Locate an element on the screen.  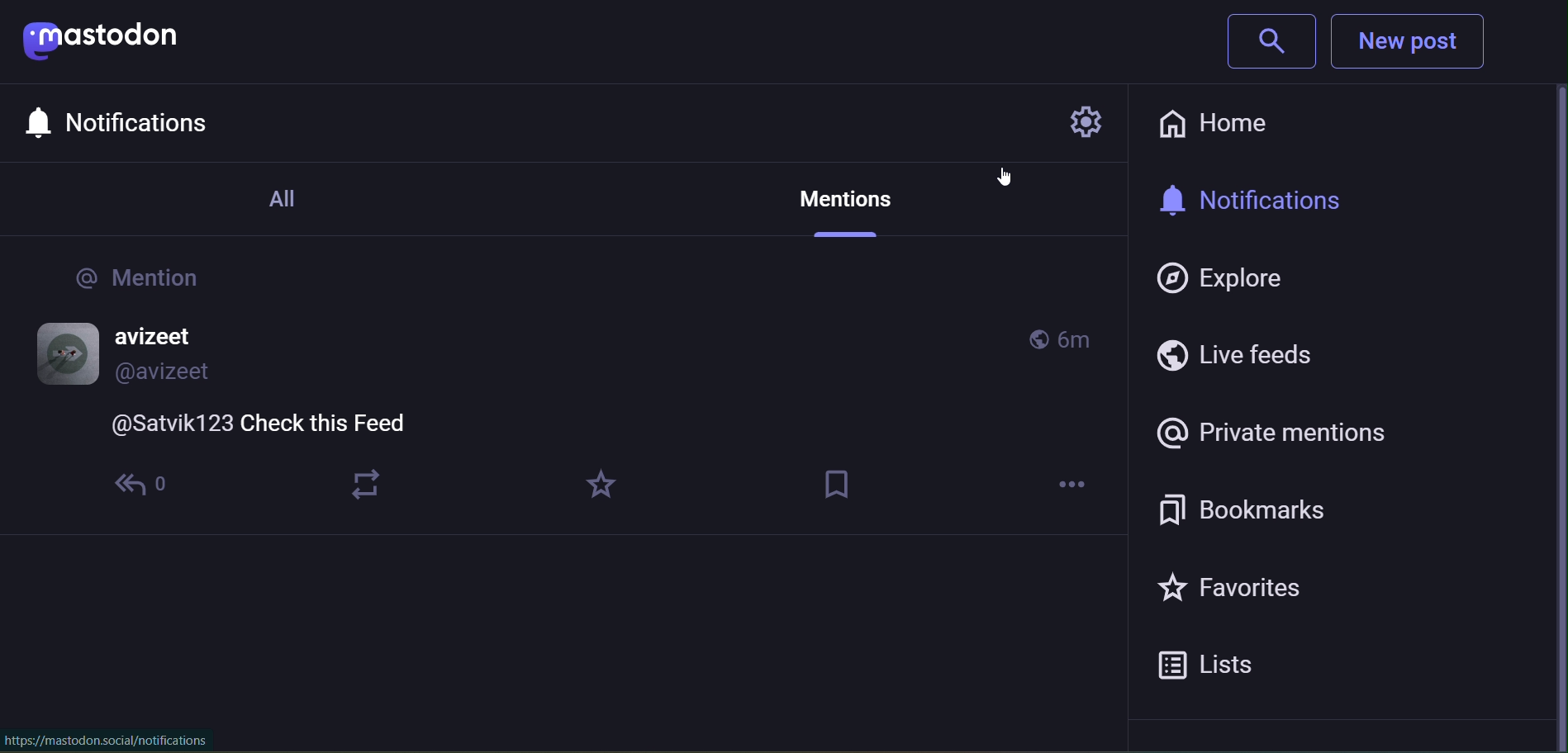
6m is located at coordinates (1079, 339).